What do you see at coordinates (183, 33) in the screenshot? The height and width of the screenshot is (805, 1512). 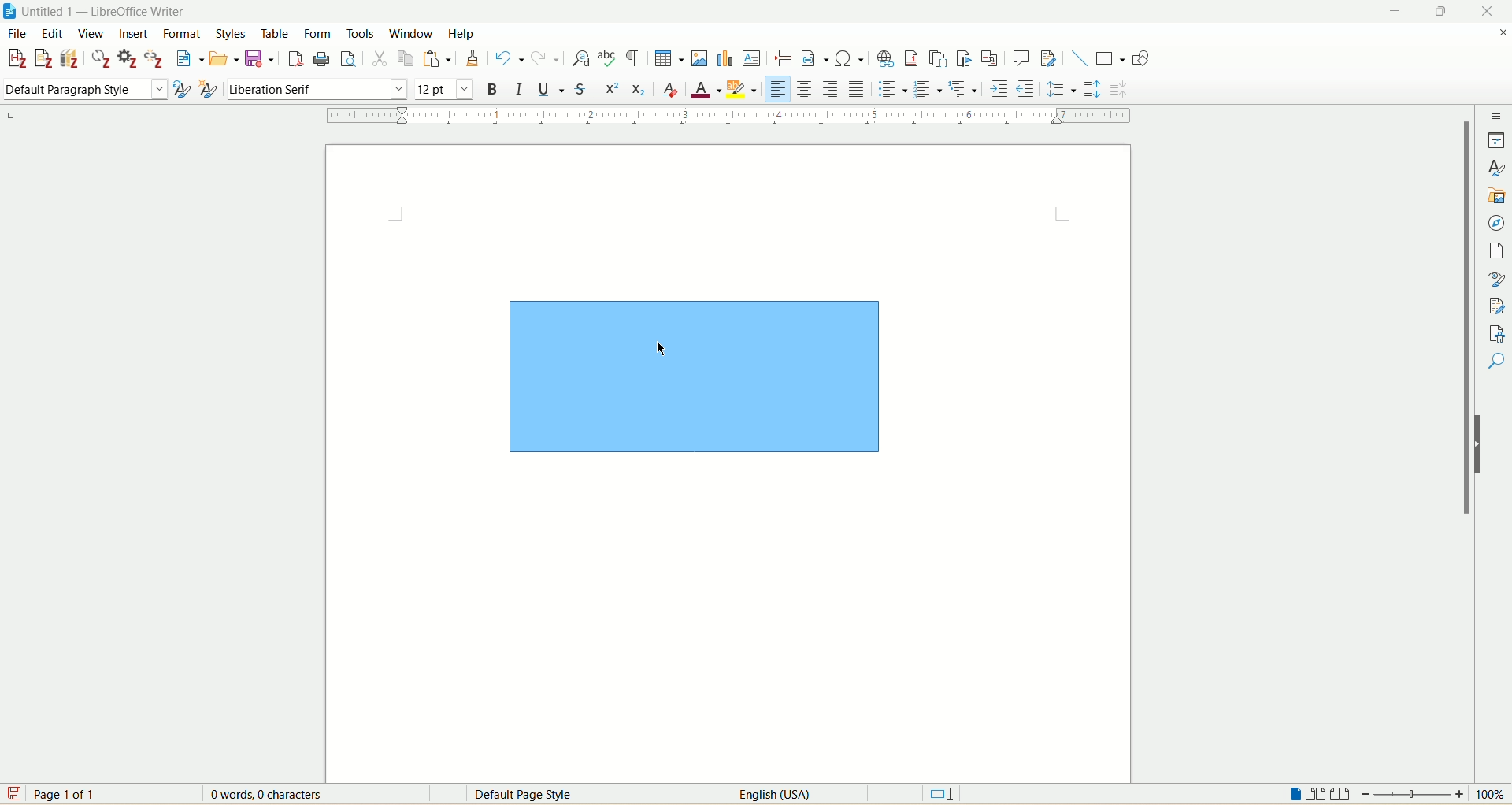 I see `format` at bounding box center [183, 33].